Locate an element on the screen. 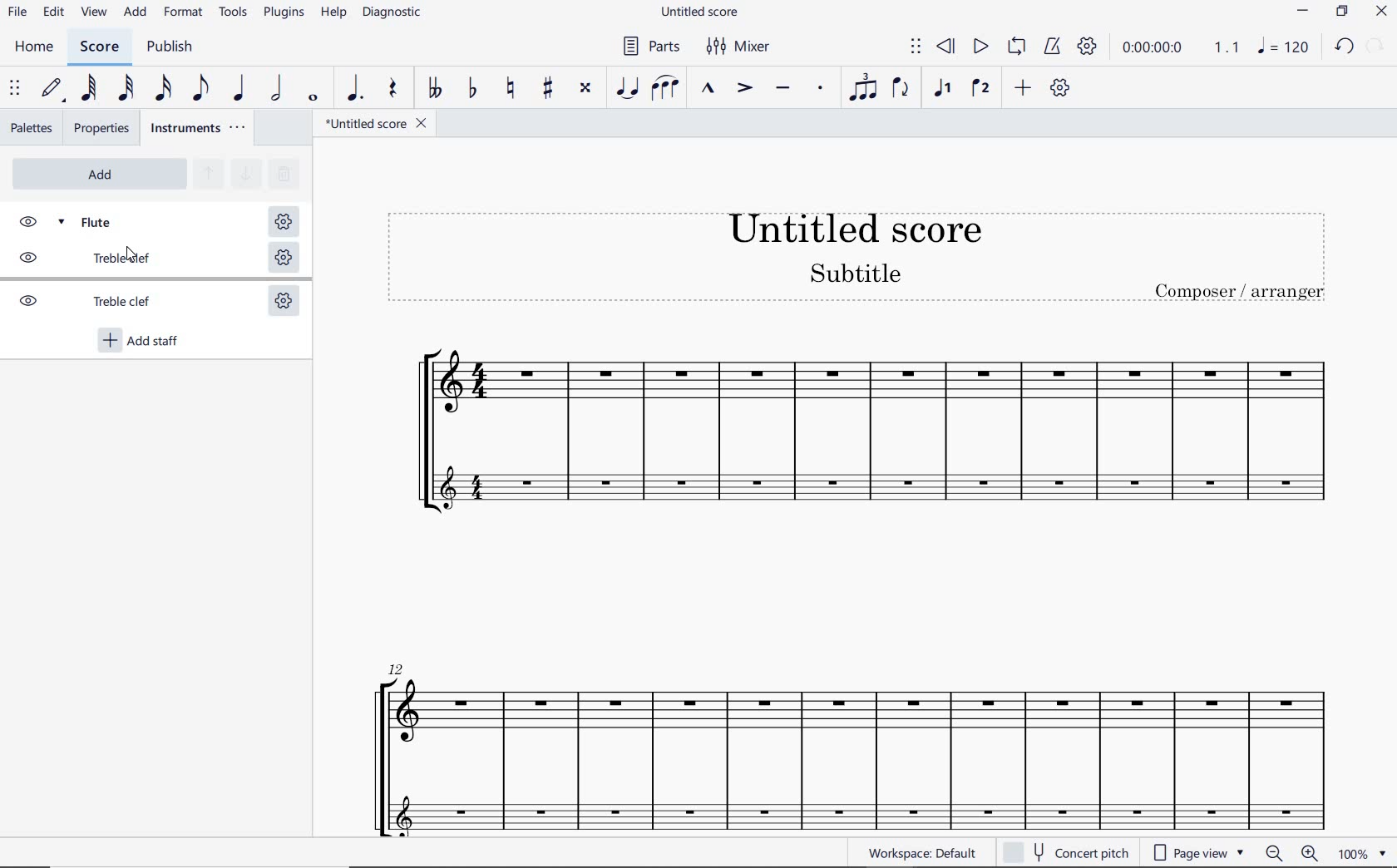 This screenshot has width=1397, height=868. AUGMENTATION DOT is located at coordinates (353, 90).